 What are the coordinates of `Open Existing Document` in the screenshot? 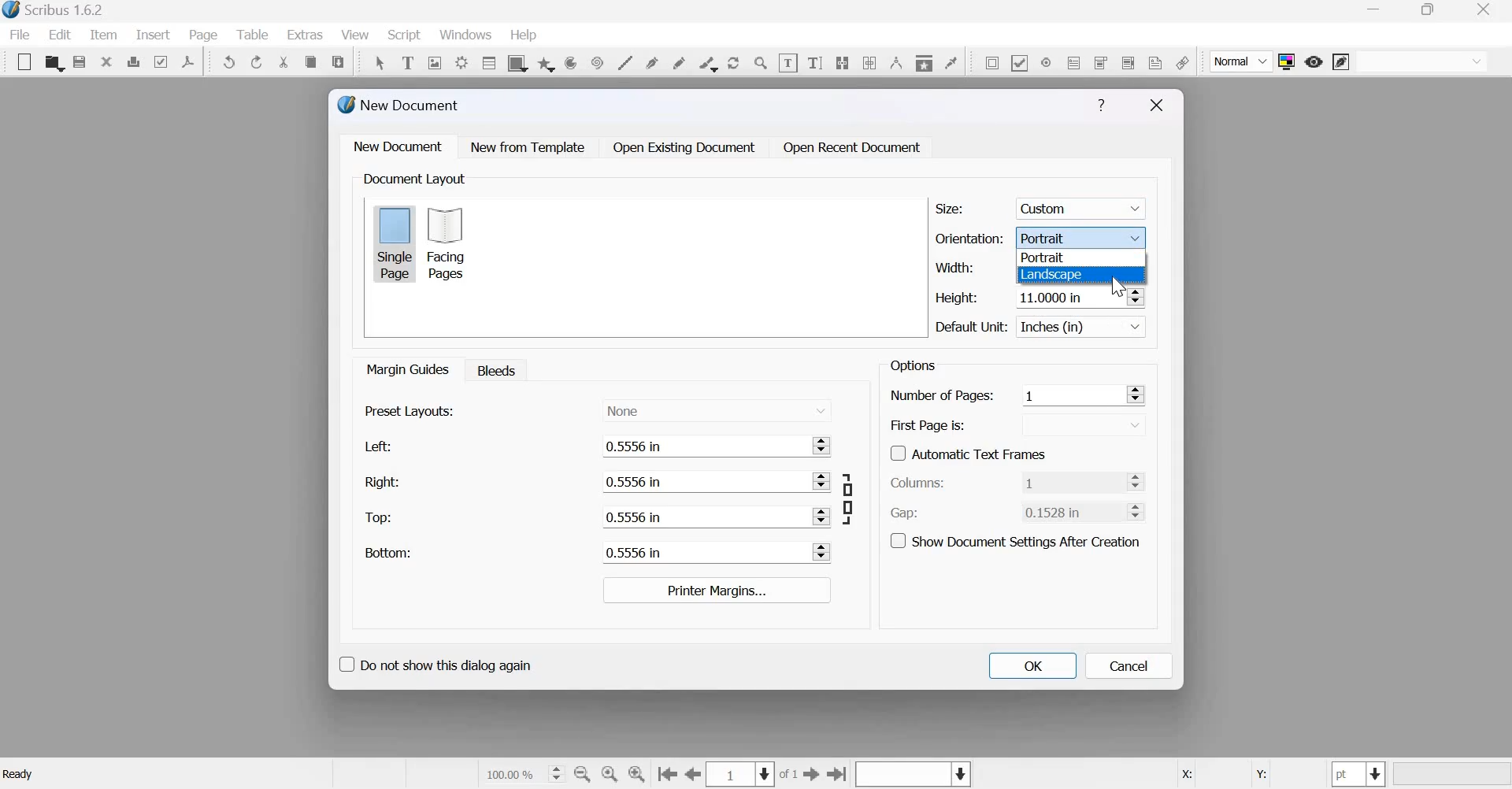 It's located at (683, 147).